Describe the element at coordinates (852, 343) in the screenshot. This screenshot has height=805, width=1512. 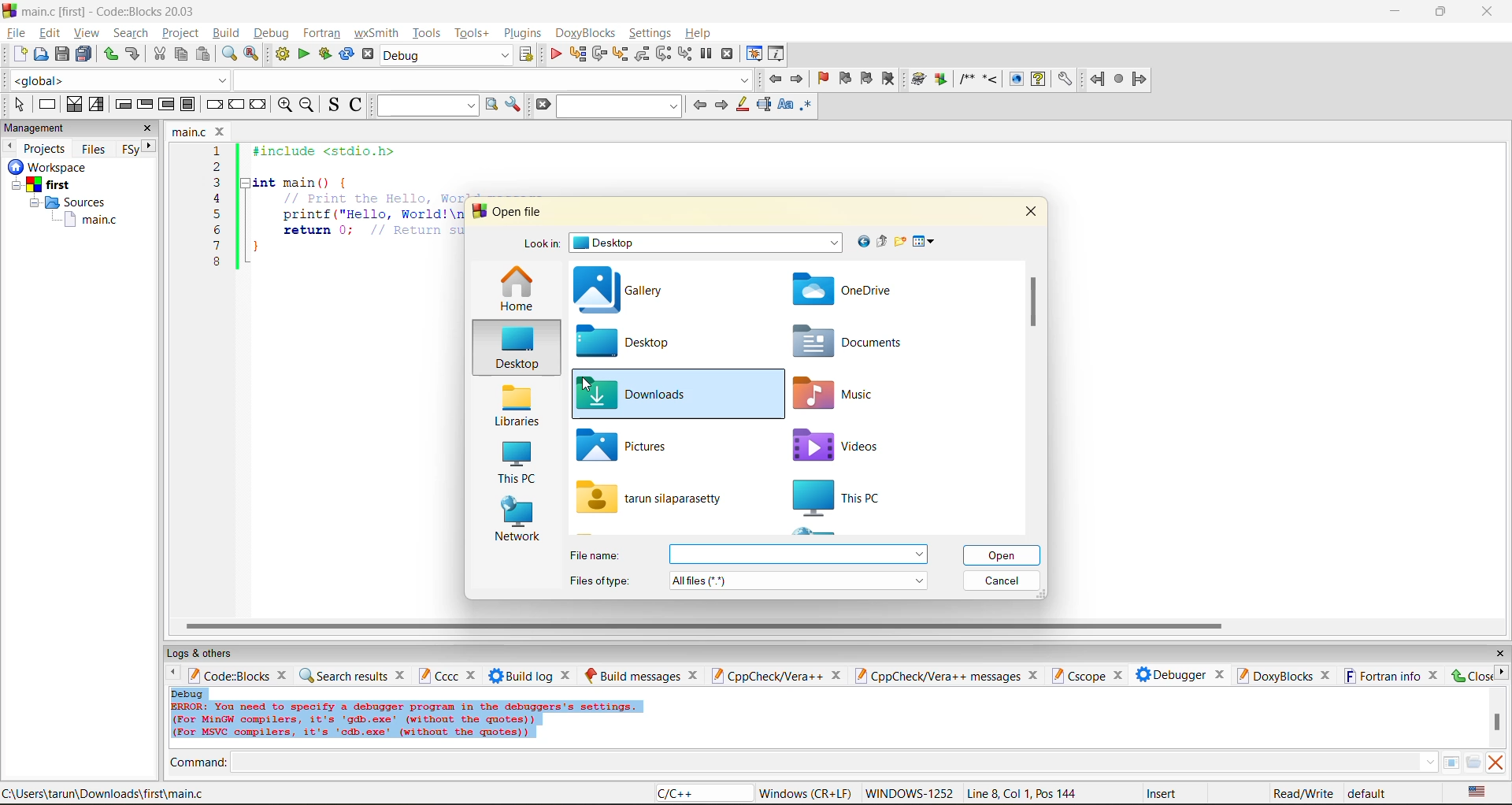
I see `documents` at that location.